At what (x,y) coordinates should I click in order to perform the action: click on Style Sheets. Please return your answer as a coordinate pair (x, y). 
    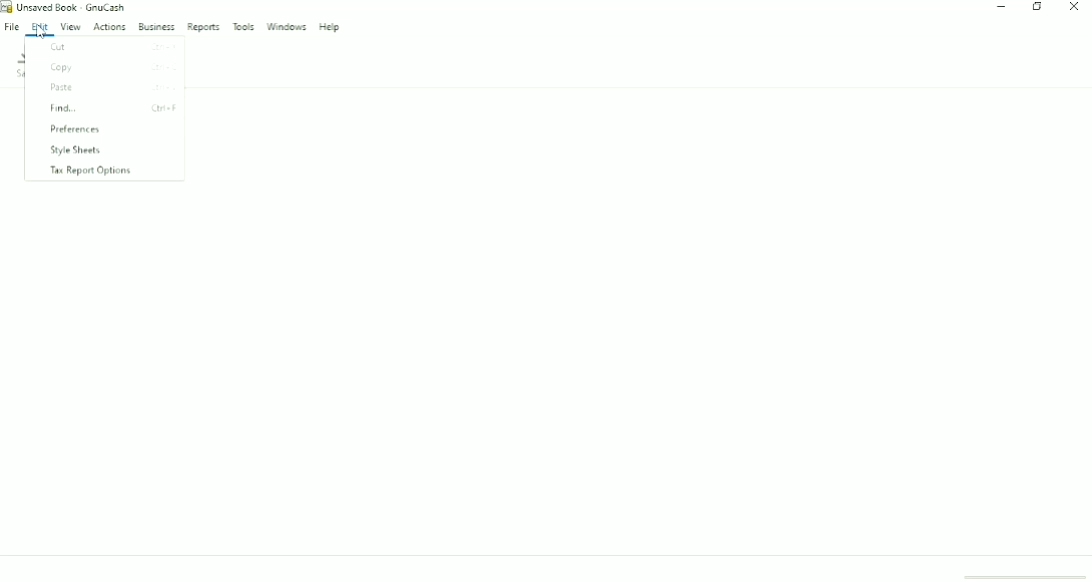
    Looking at the image, I should click on (76, 151).